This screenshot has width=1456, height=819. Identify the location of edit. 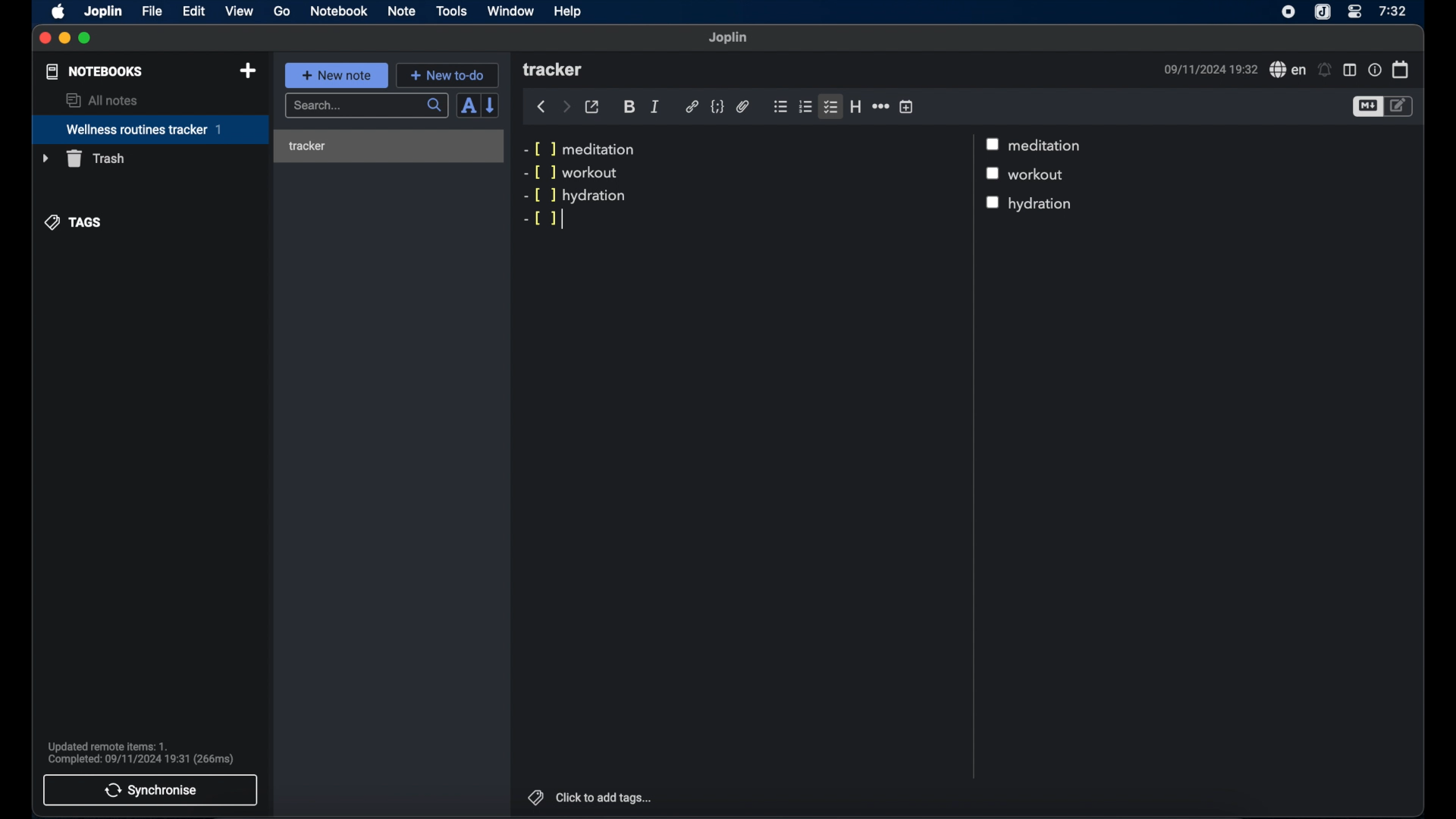
(193, 11).